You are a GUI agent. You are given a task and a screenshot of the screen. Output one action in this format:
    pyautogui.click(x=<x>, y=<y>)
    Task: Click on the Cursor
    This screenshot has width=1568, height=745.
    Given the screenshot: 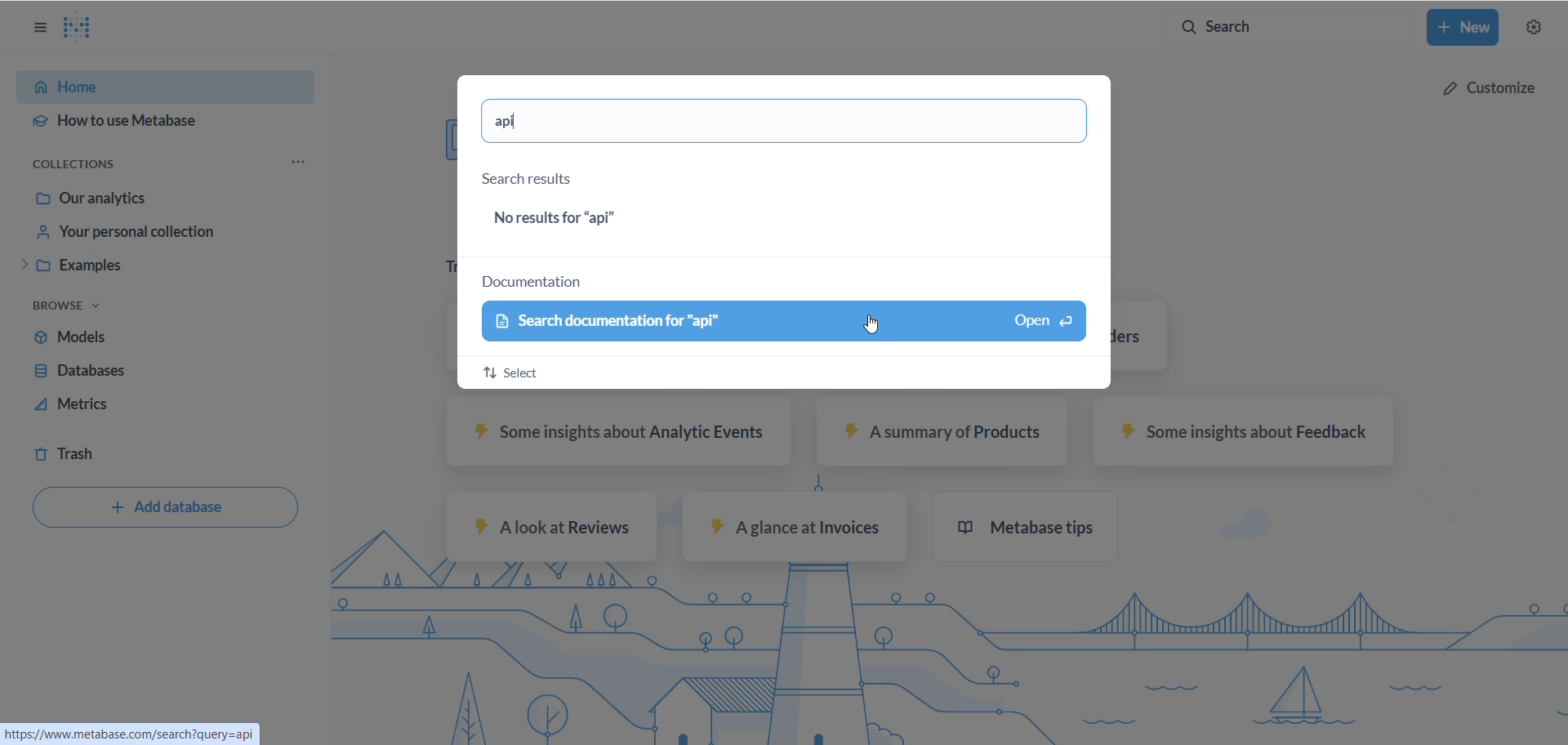 What is the action you would take?
    pyautogui.click(x=866, y=323)
    